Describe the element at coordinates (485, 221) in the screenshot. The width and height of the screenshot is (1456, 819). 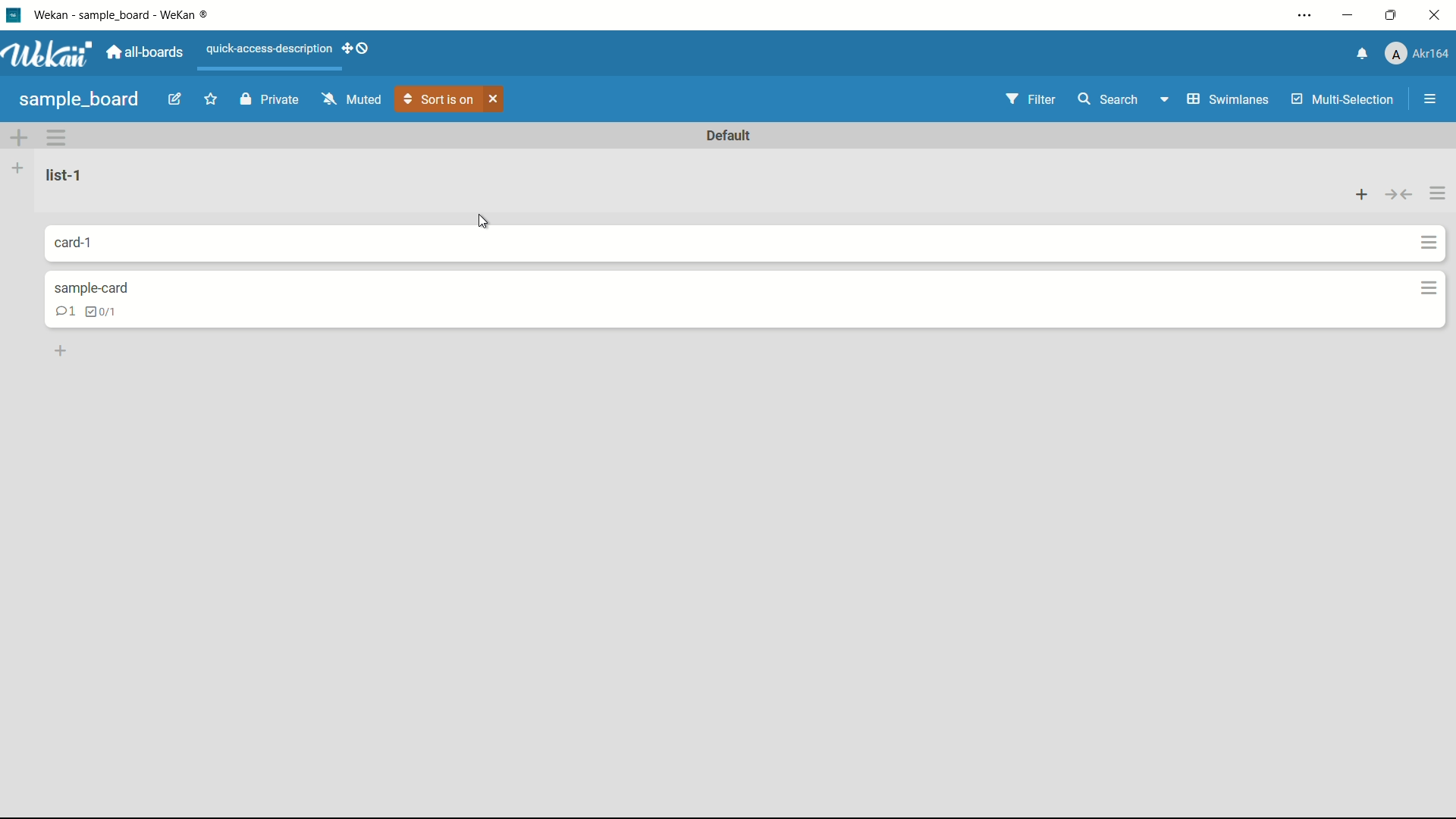
I see `cursor` at that location.